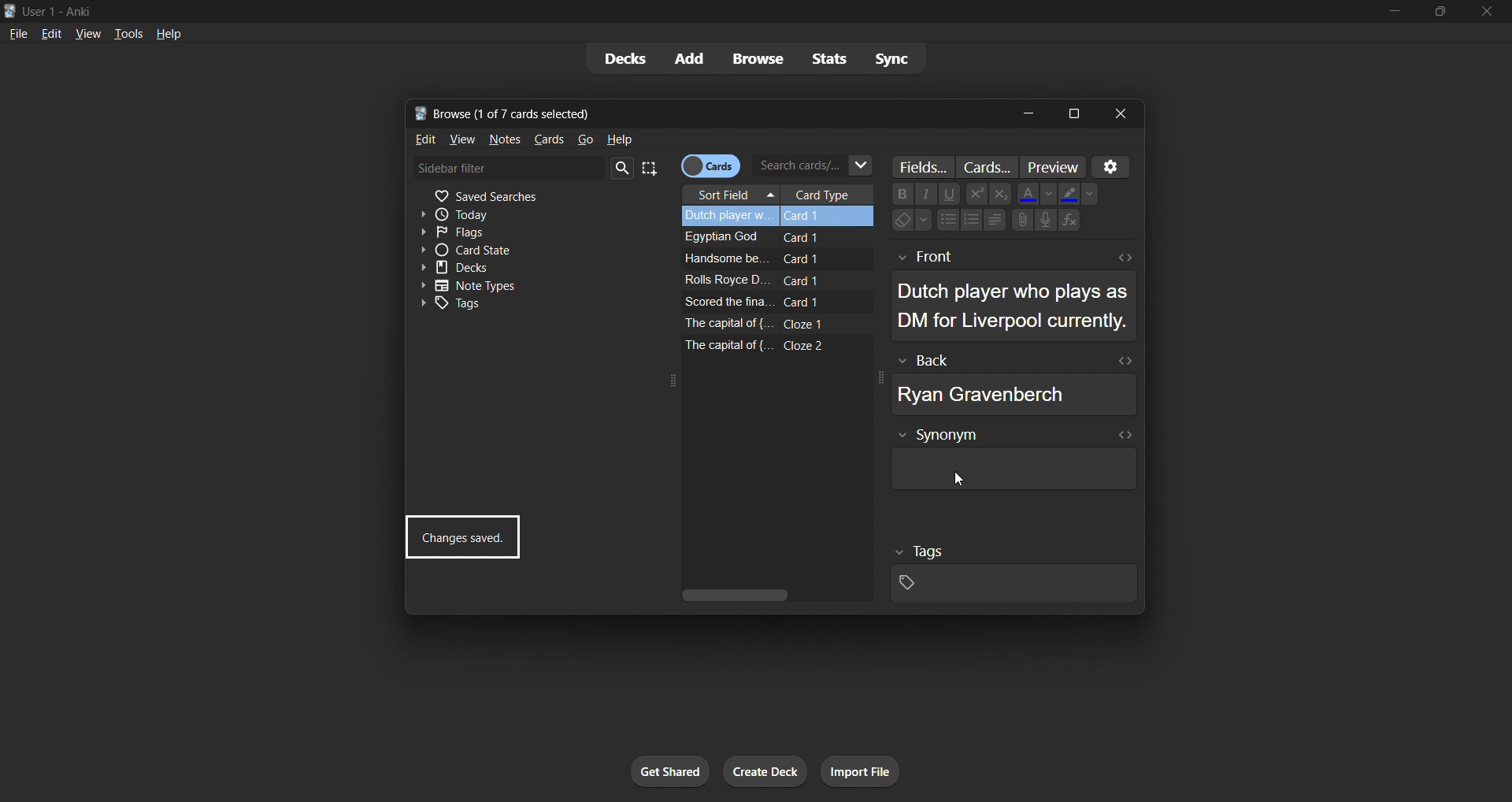 Image resolution: width=1512 pixels, height=802 pixels. What do you see at coordinates (925, 221) in the screenshot?
I see `Down-arrow` at bounding box center [925, 221].